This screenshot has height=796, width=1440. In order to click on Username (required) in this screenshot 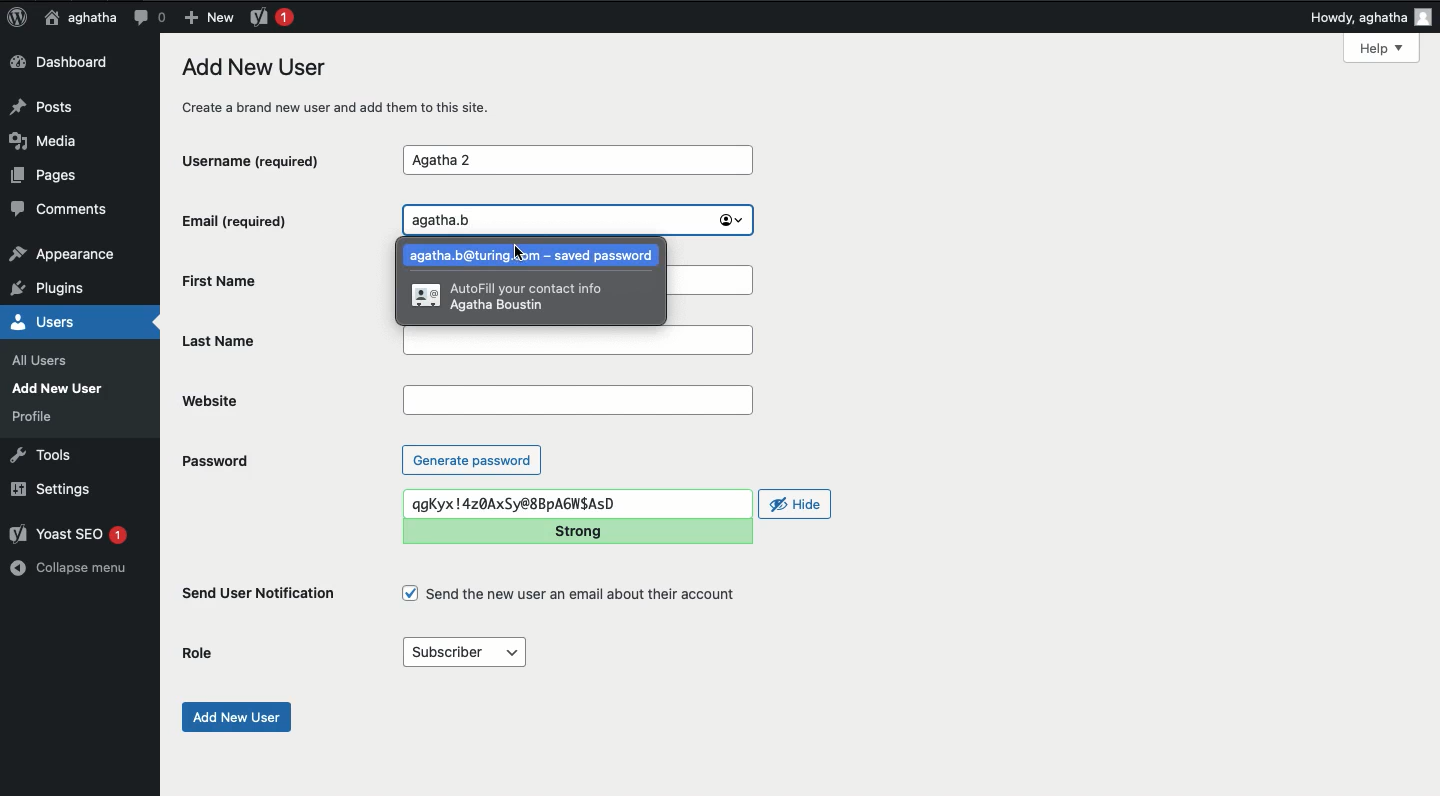, I will do `click(269, 159)`.